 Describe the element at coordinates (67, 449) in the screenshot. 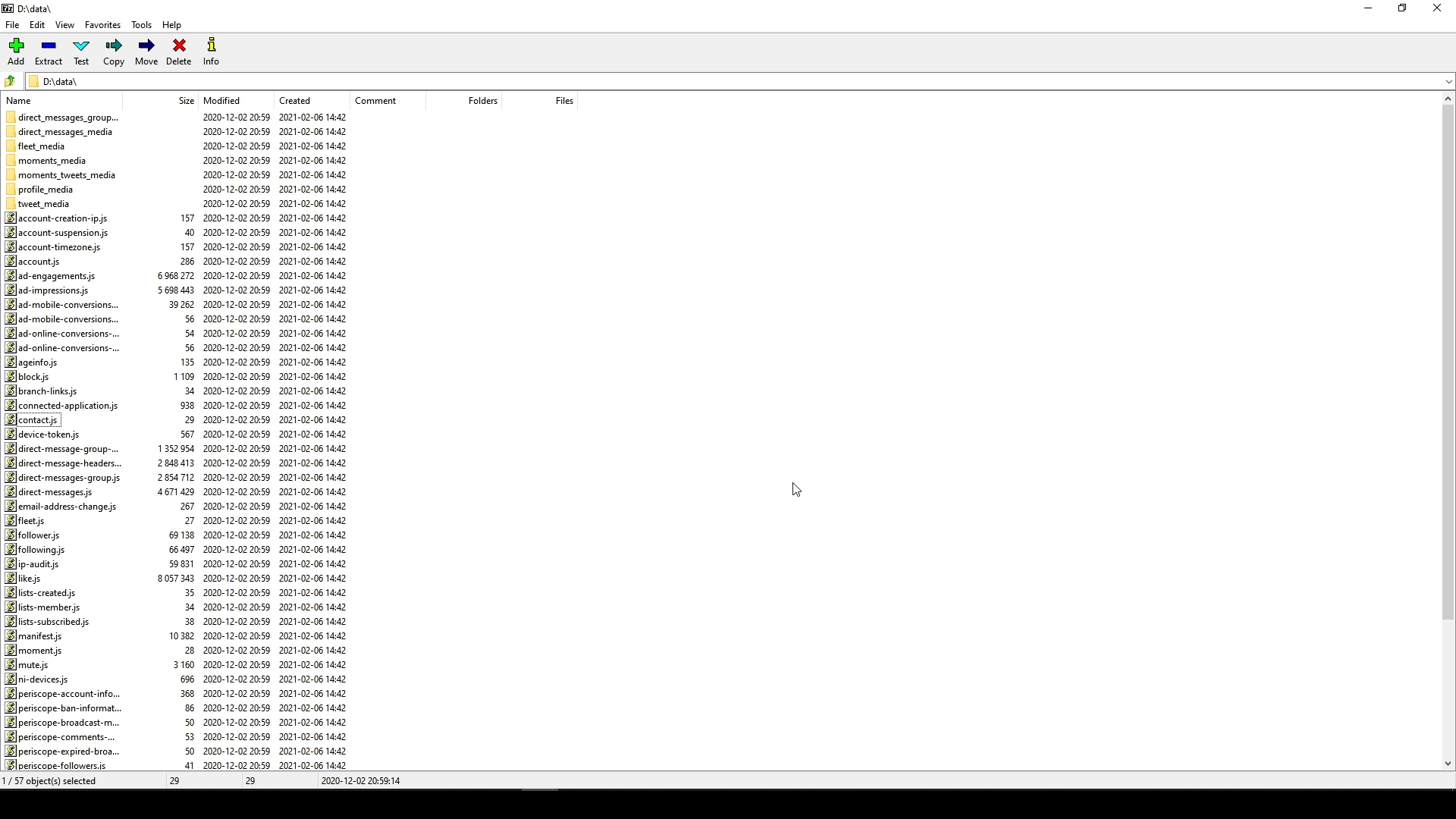

I see `direct-message-group` at that location.